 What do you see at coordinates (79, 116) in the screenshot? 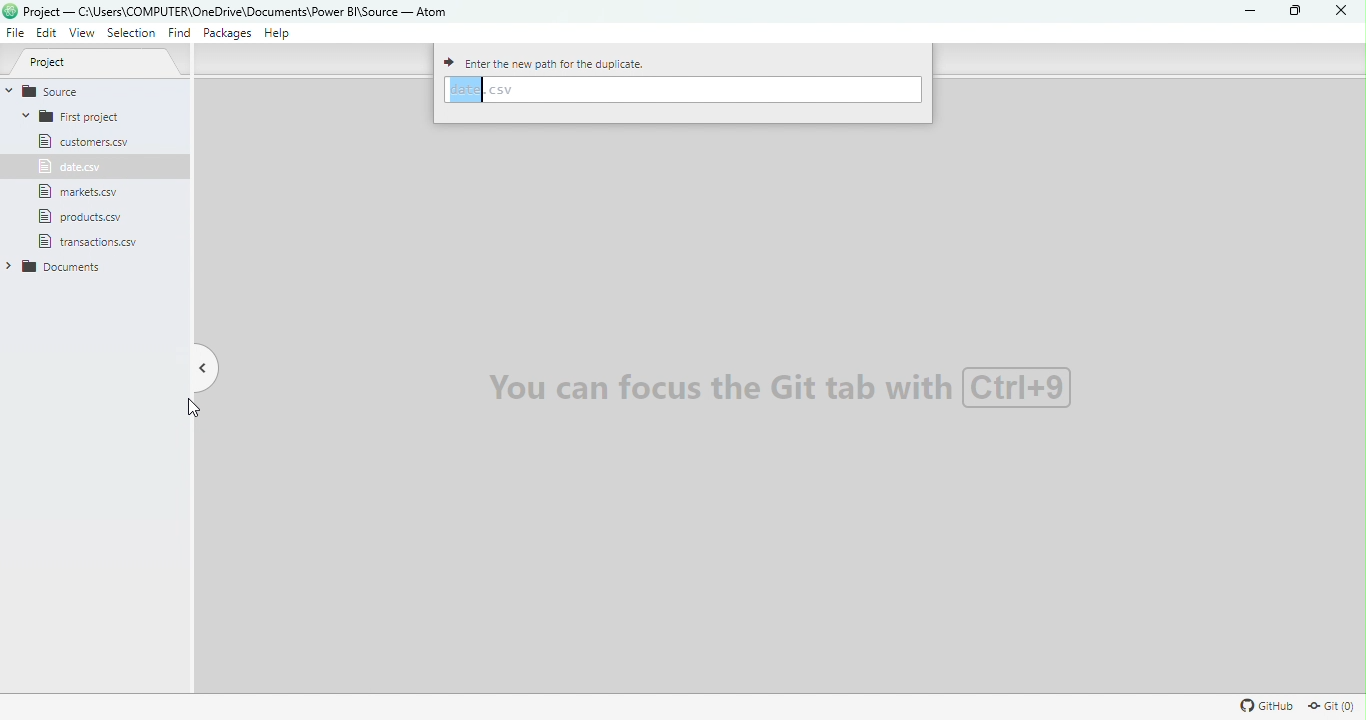
I see `Folder` at bounding box center [79, 116].